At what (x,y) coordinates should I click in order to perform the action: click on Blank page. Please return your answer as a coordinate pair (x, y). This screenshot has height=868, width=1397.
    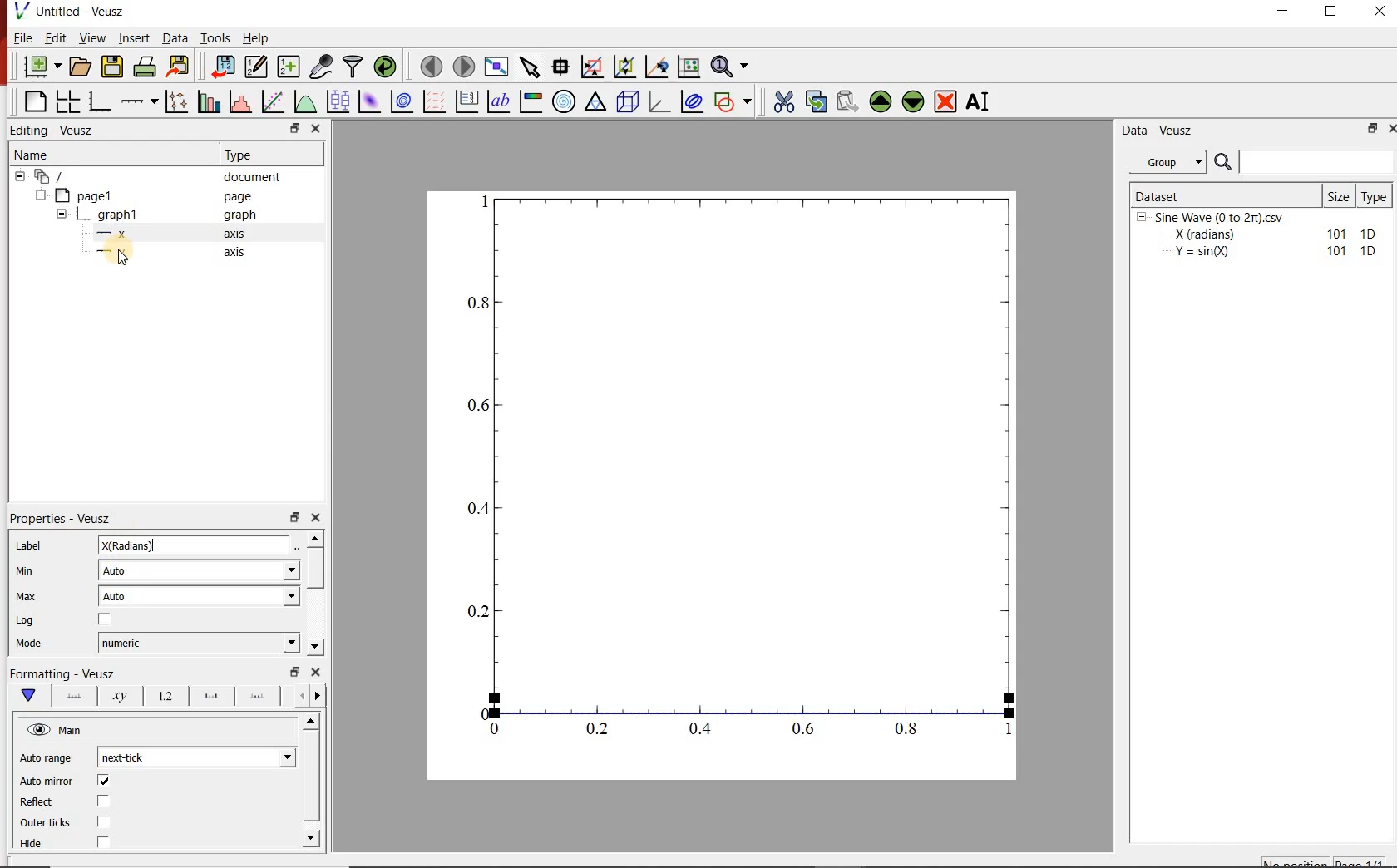
    Looking at the image, I should click on (35, 101).